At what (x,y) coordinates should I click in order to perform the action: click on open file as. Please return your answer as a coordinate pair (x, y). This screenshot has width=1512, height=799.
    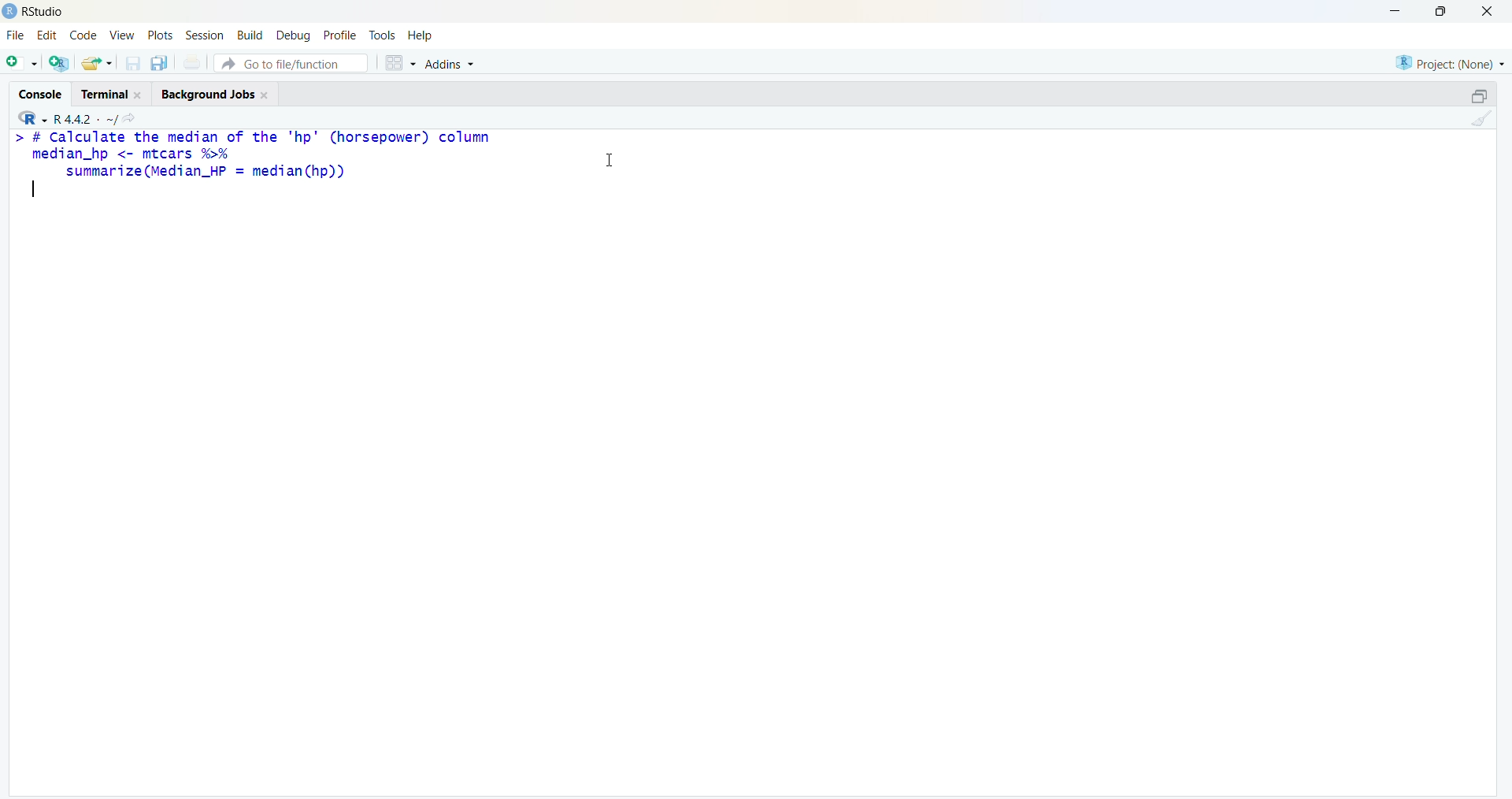
    Looking at the image, I should click on (23, 64).